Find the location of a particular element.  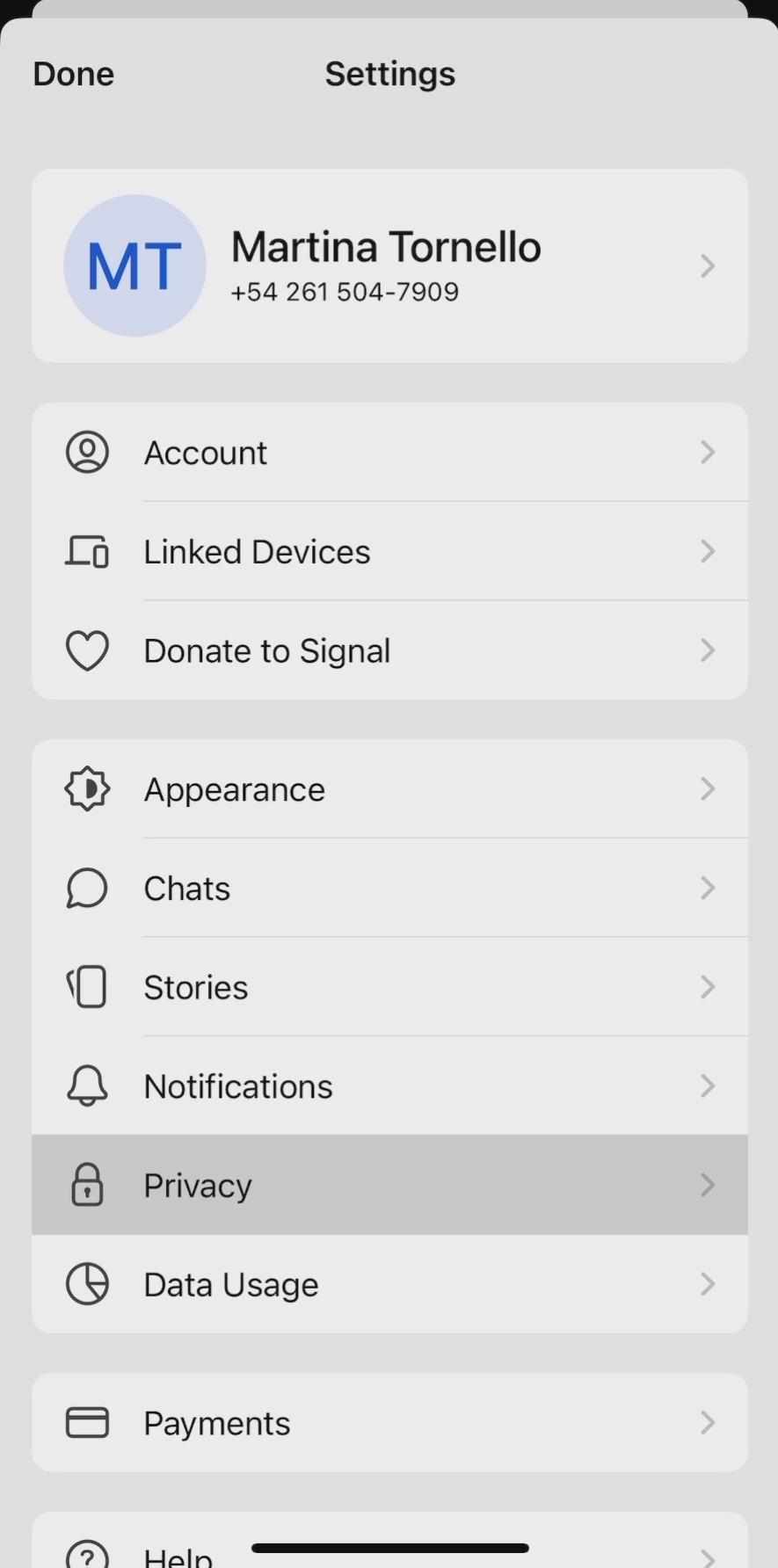

stories is located at coordinates (387, 989).